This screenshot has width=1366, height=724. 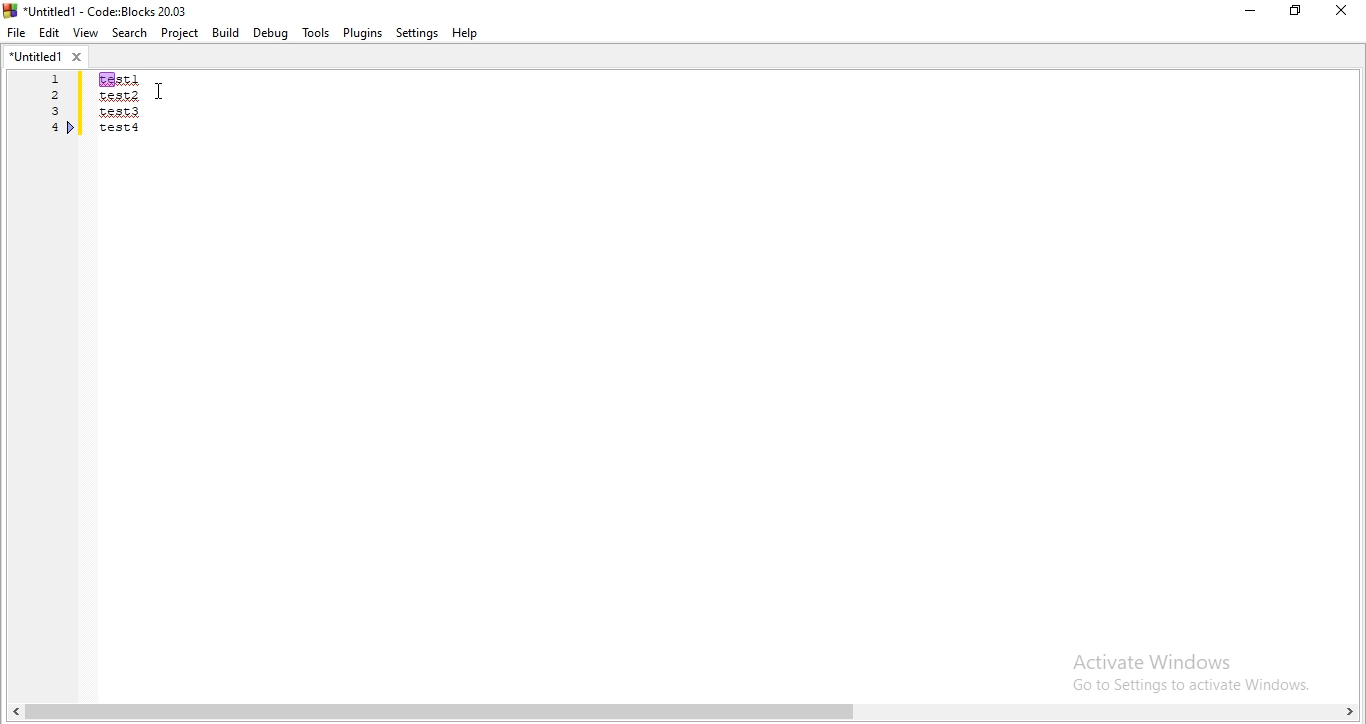 I want to click on test1/test2/test3/test4 , so click(x=118, y=107).